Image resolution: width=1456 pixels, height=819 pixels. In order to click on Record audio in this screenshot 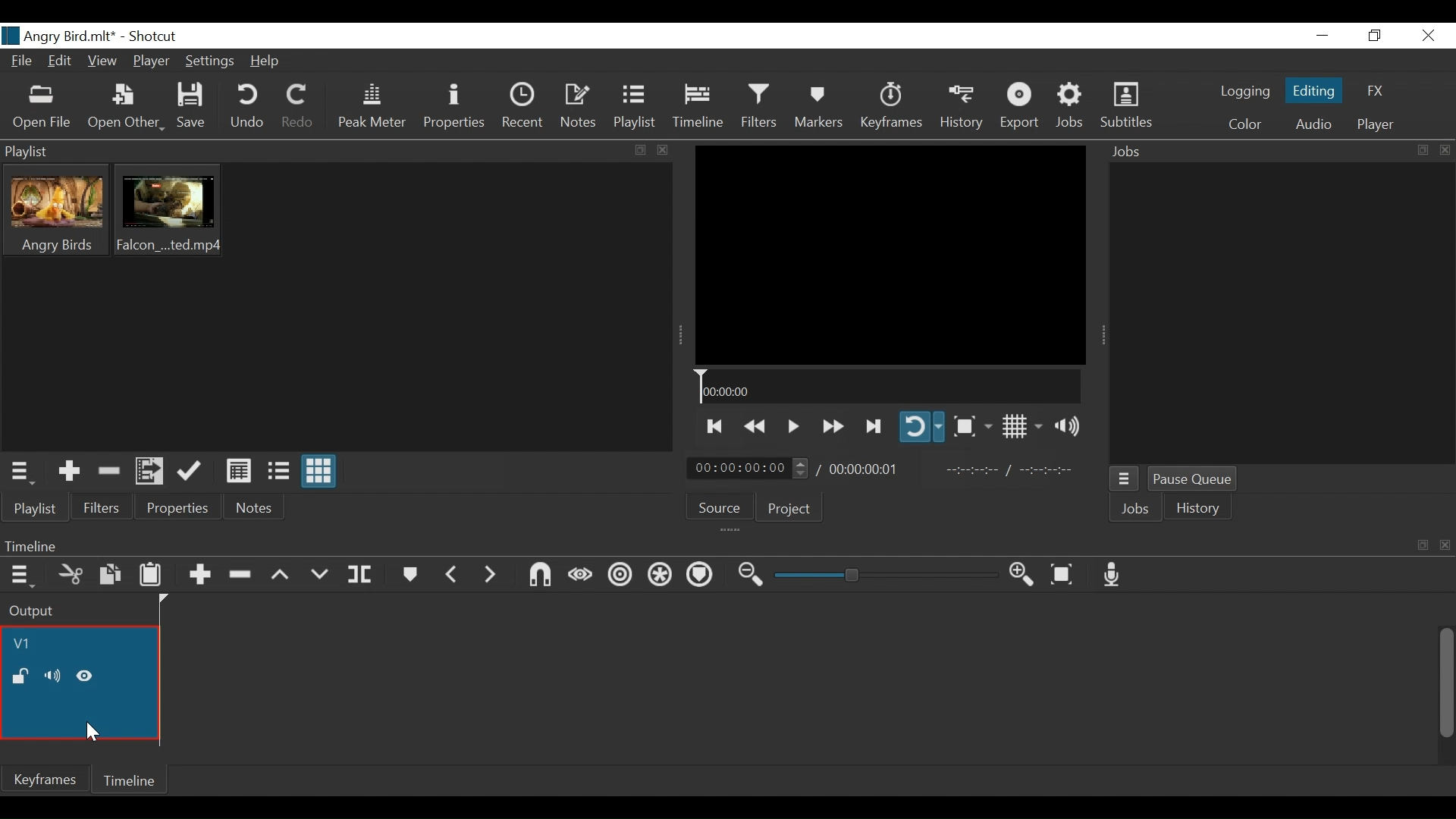, I will do `click(1109, 574)`.